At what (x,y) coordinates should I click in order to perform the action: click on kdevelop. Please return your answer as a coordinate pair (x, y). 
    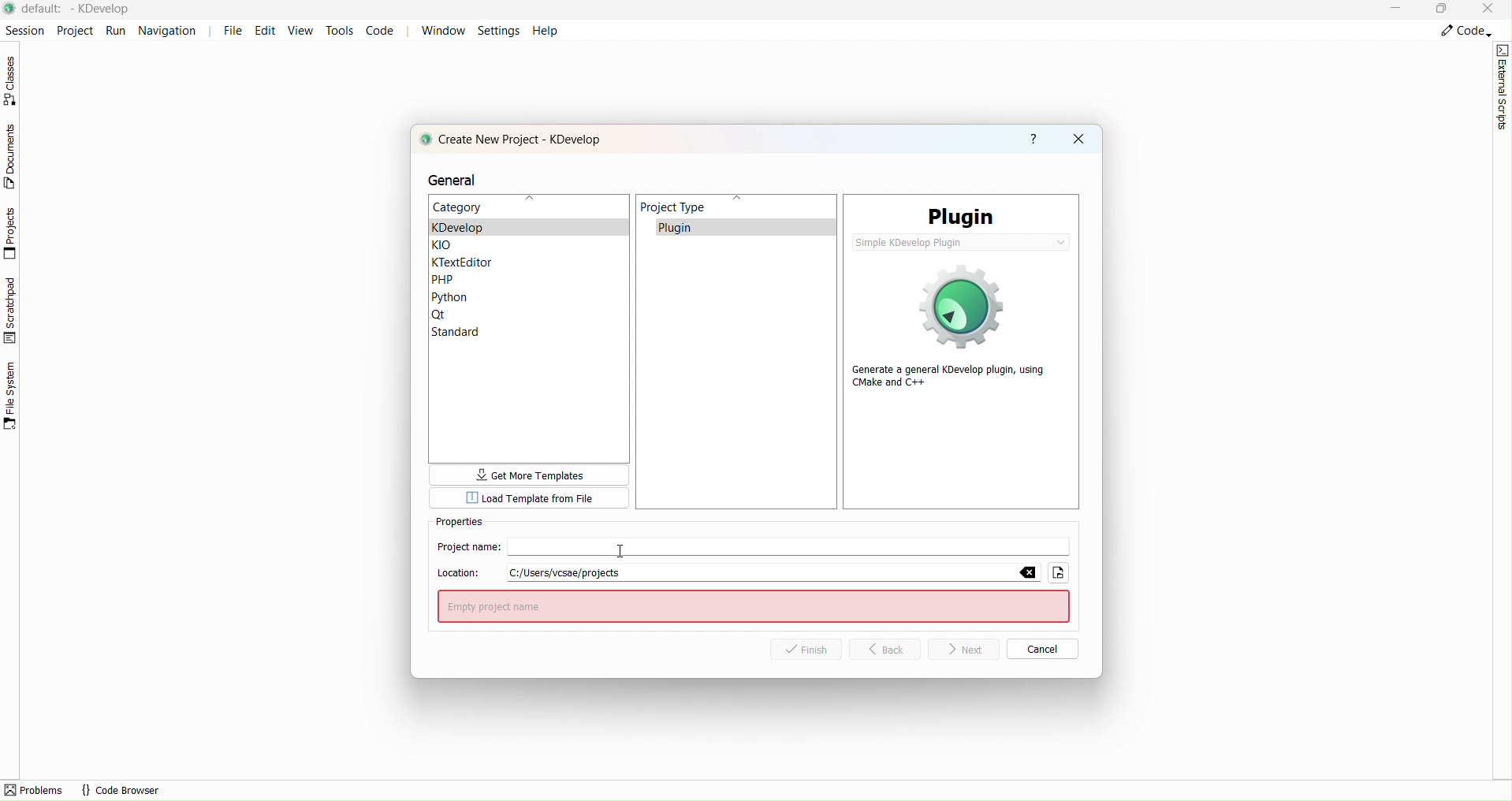
    Looking at the image, I should click on (490, 227).